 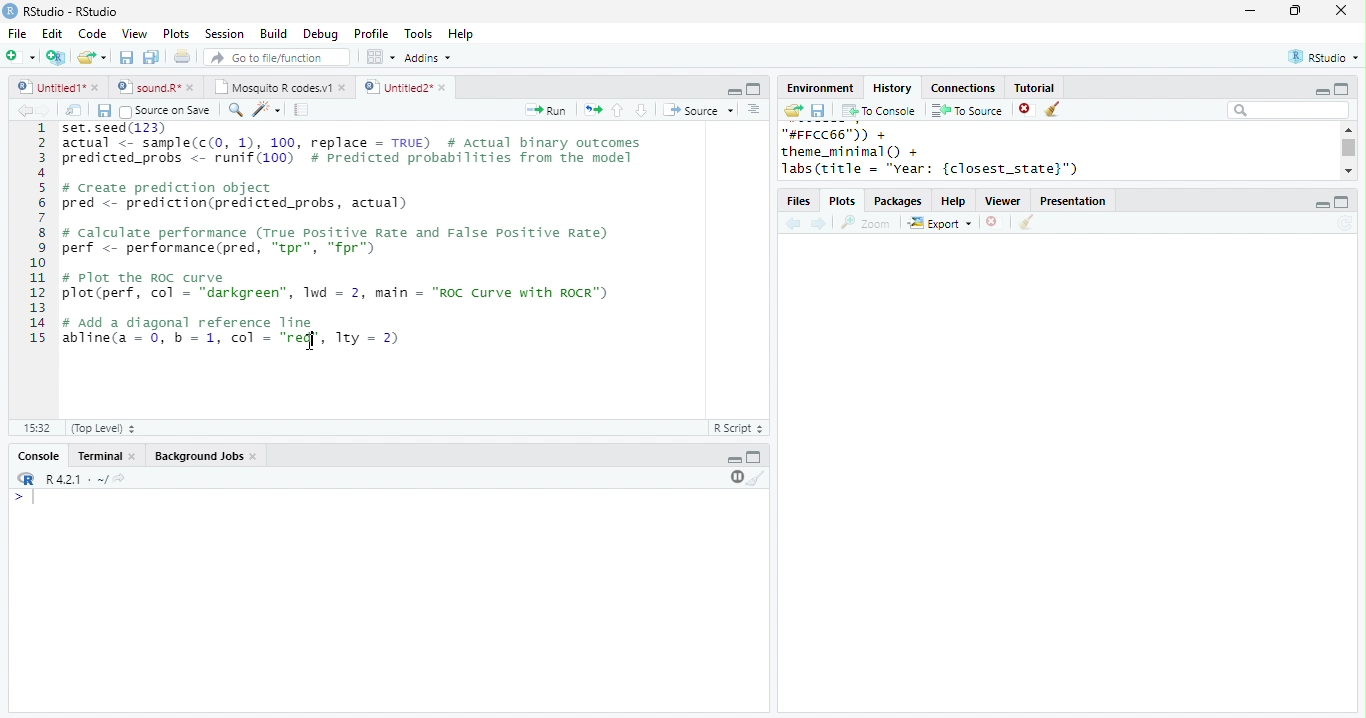 What do you see at coordinates (800, 202) in the screenshot?
I see `files` at bounding box center [800, 202].